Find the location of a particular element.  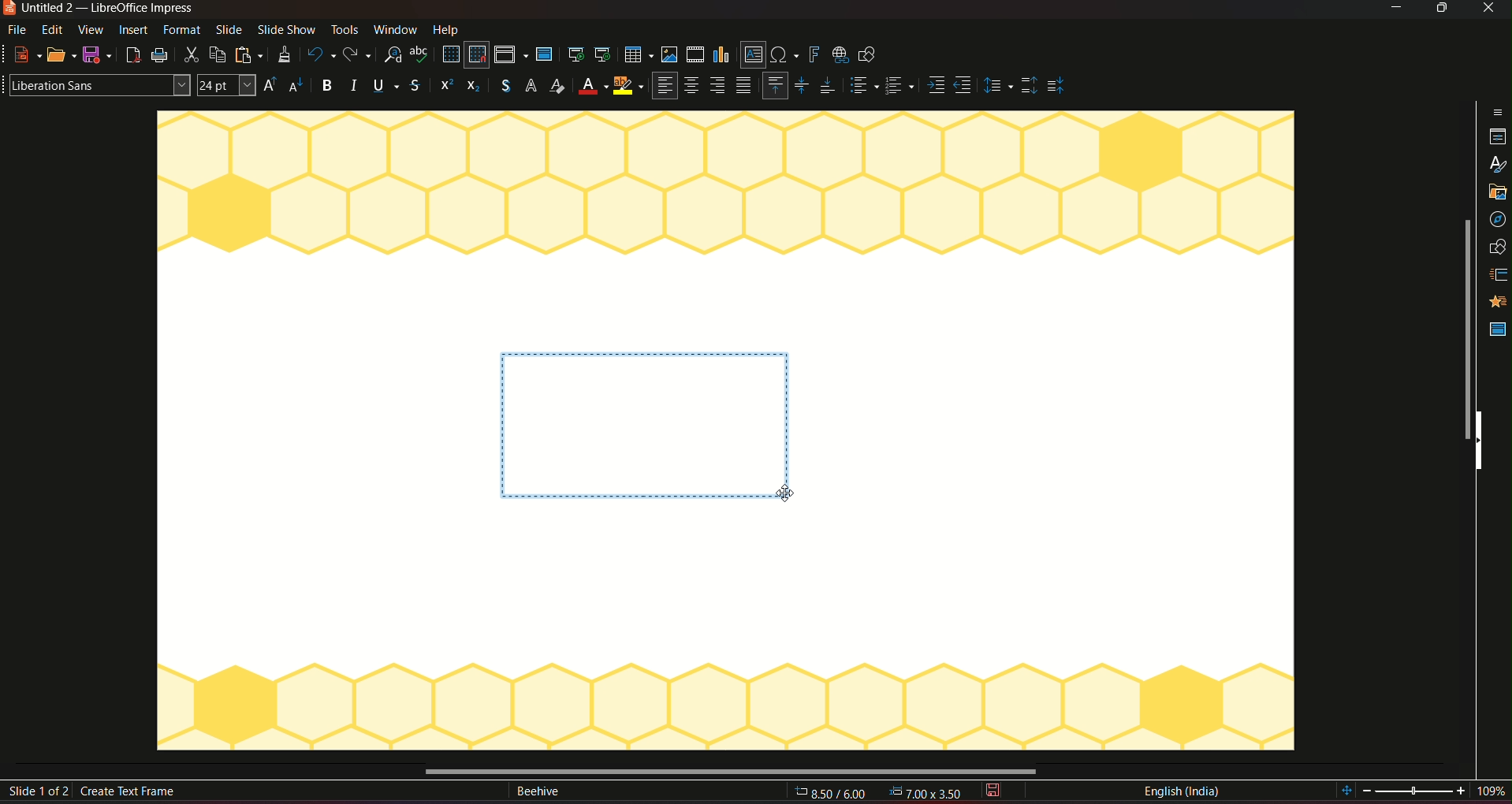

slide transition  is located at coordinates (1499, 242).